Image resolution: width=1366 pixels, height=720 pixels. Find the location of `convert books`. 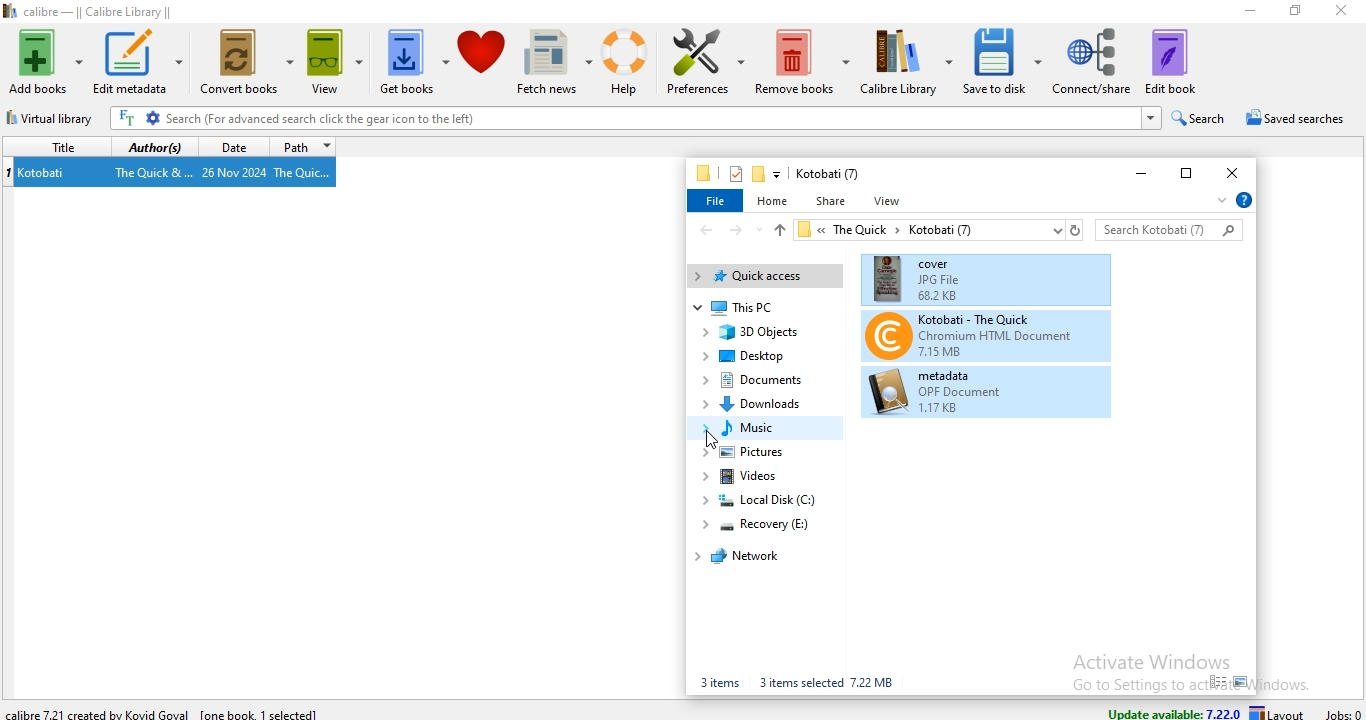

convert books is located at coordinates (245, 65).